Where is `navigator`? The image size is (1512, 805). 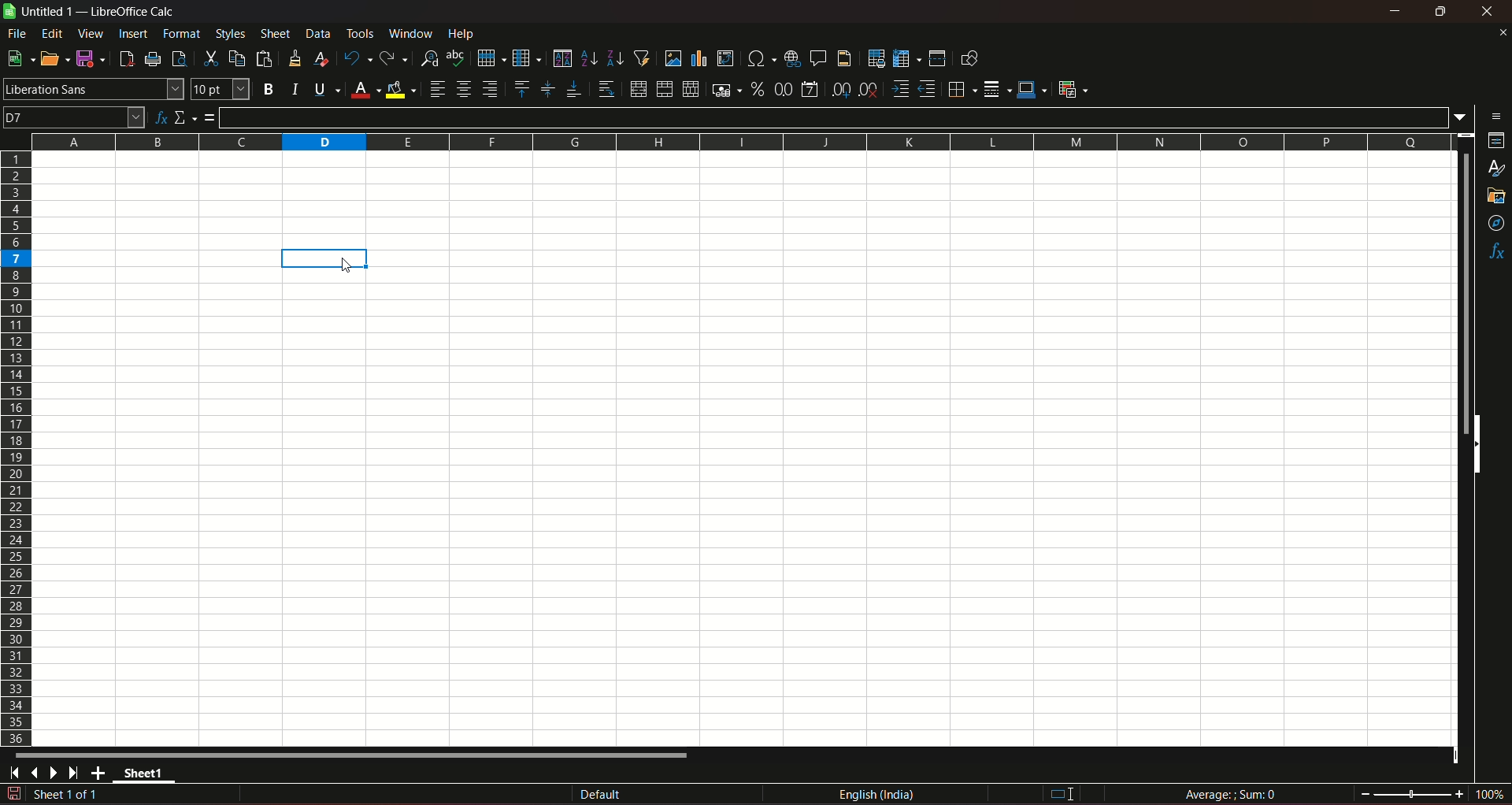 navigator is located at coordinates (1497, 224).